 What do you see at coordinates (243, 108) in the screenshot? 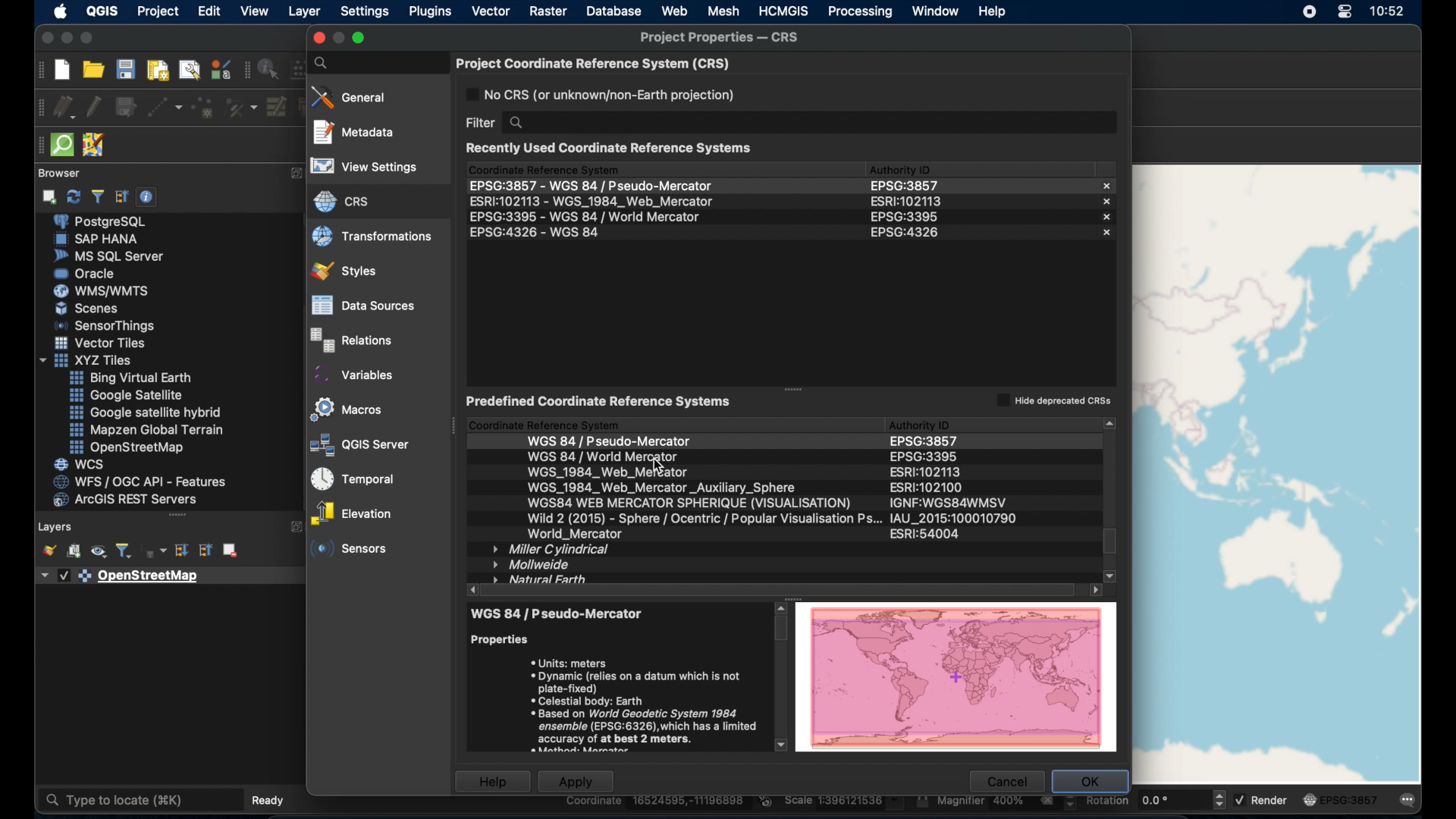
I see `vertex tool` at bounding box center [243, 108].